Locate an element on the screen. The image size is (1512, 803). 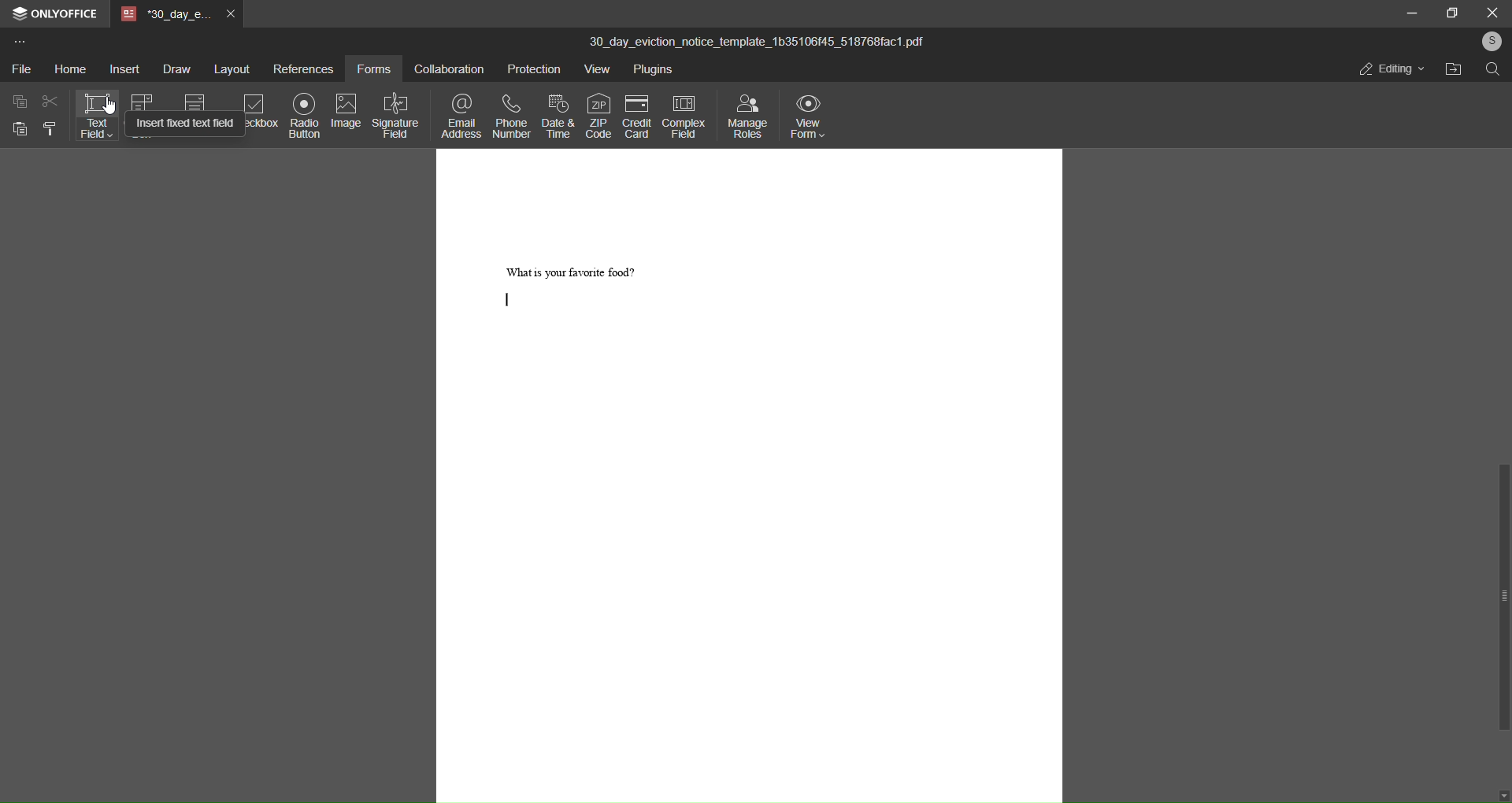
protection is located at coordinates (531, 69).